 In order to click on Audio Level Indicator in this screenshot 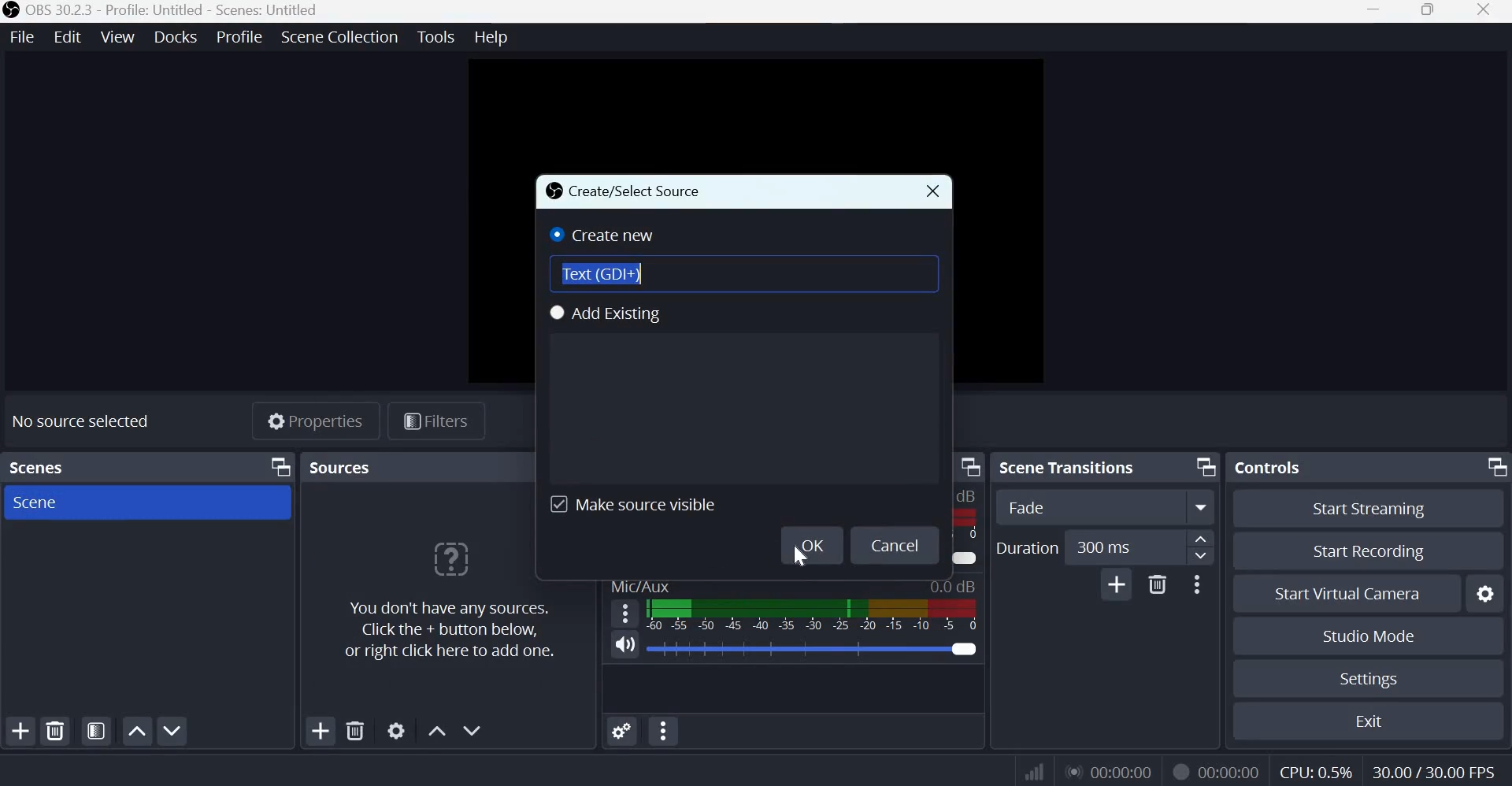, I will do `click(953, 585)`.